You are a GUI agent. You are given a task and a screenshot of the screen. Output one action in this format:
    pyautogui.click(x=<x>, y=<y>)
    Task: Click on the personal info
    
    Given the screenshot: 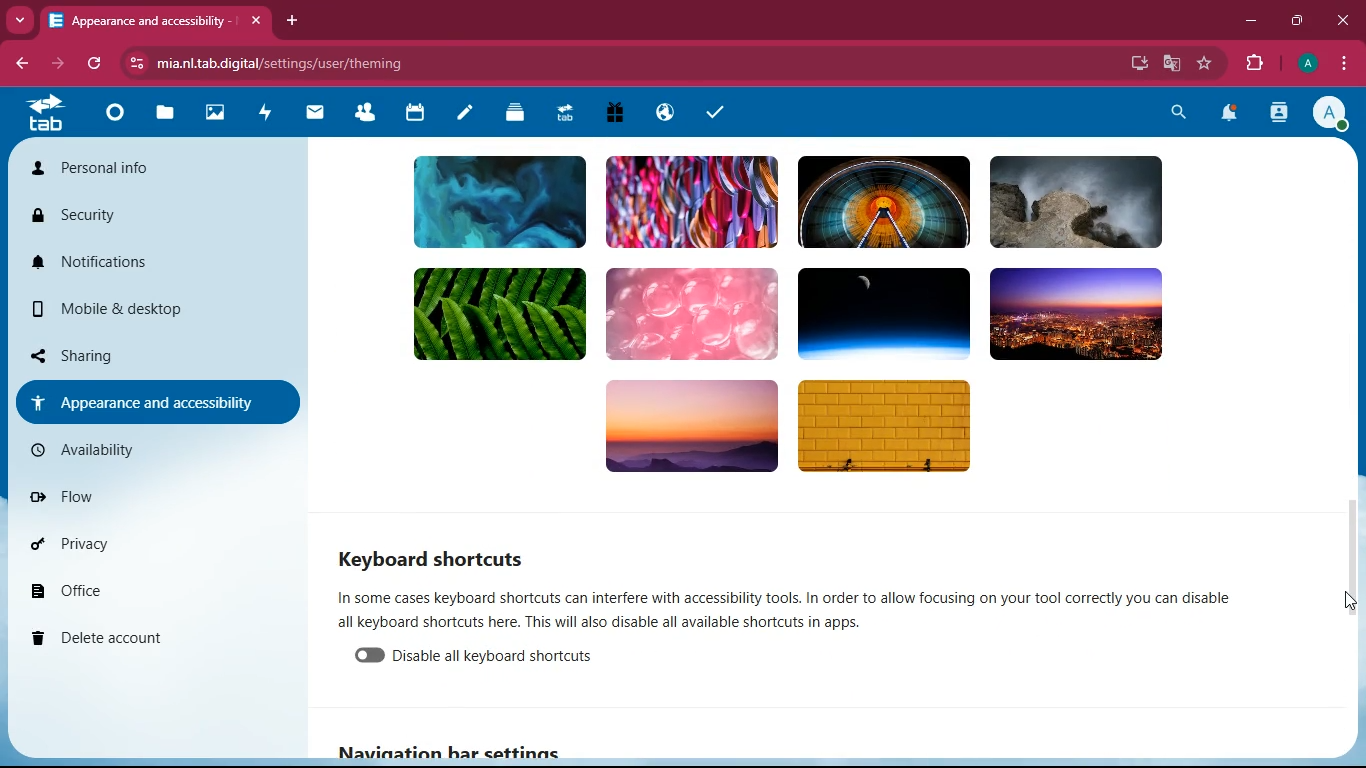 What is the action you would take?
    pyautogui.click(x=129, y=168)
    